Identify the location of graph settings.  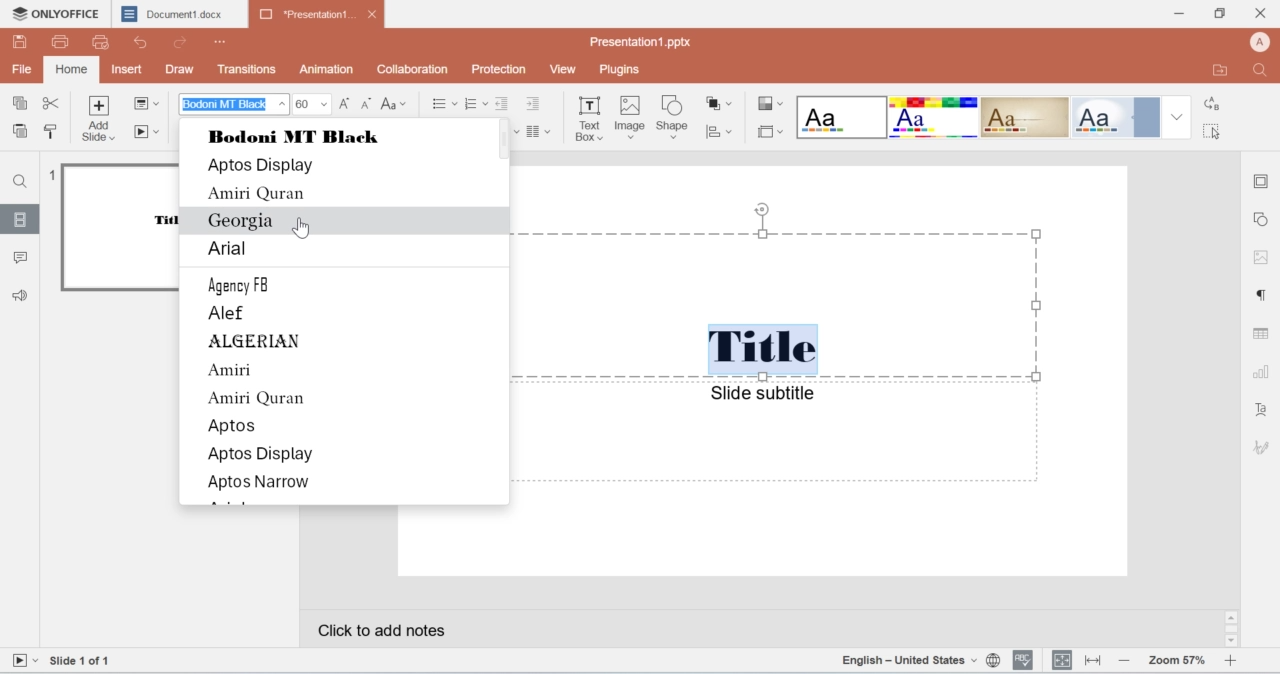
(1259, 375).